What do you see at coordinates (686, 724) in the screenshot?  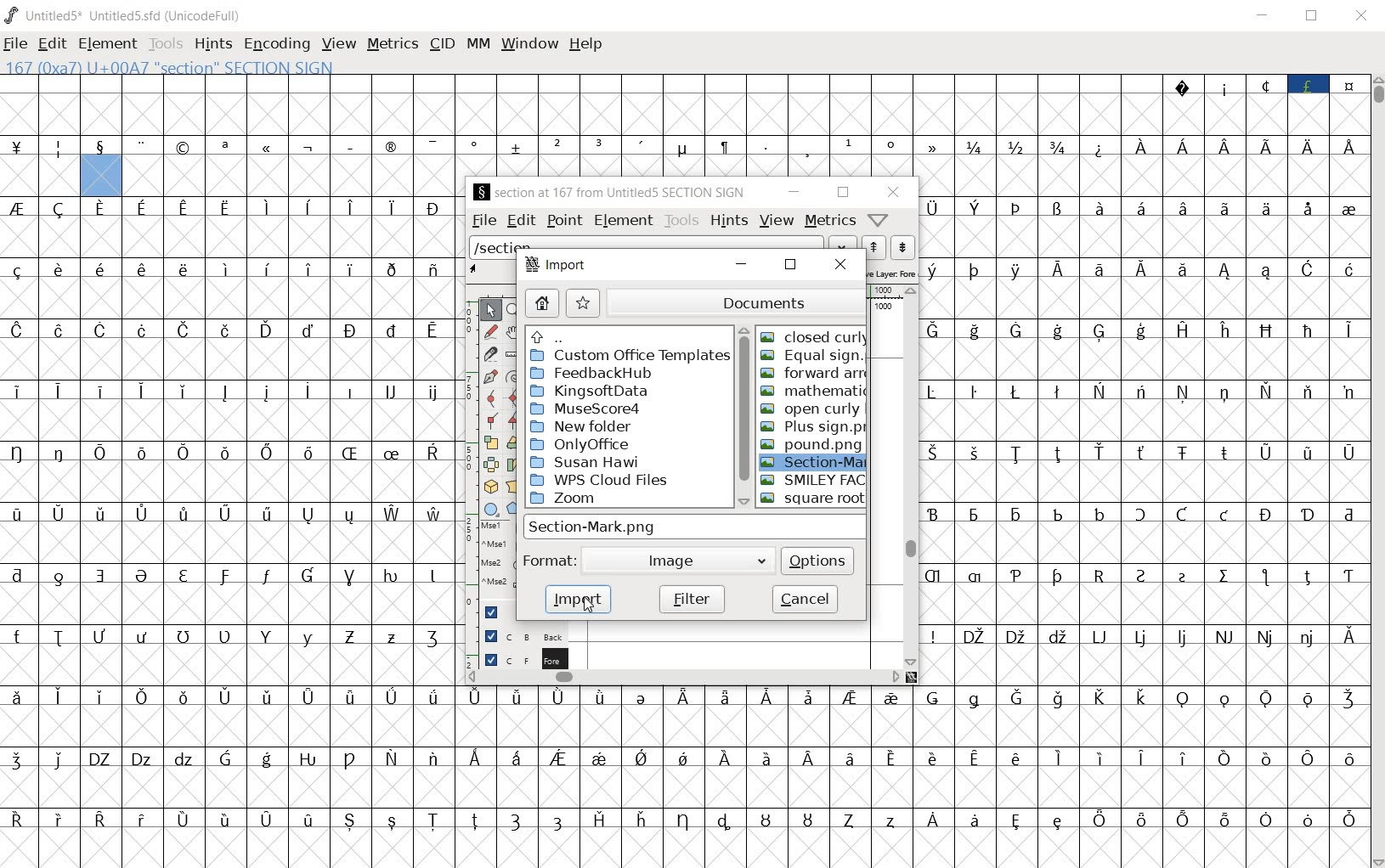 I see `empty cells` at bounding box center [686, 724].